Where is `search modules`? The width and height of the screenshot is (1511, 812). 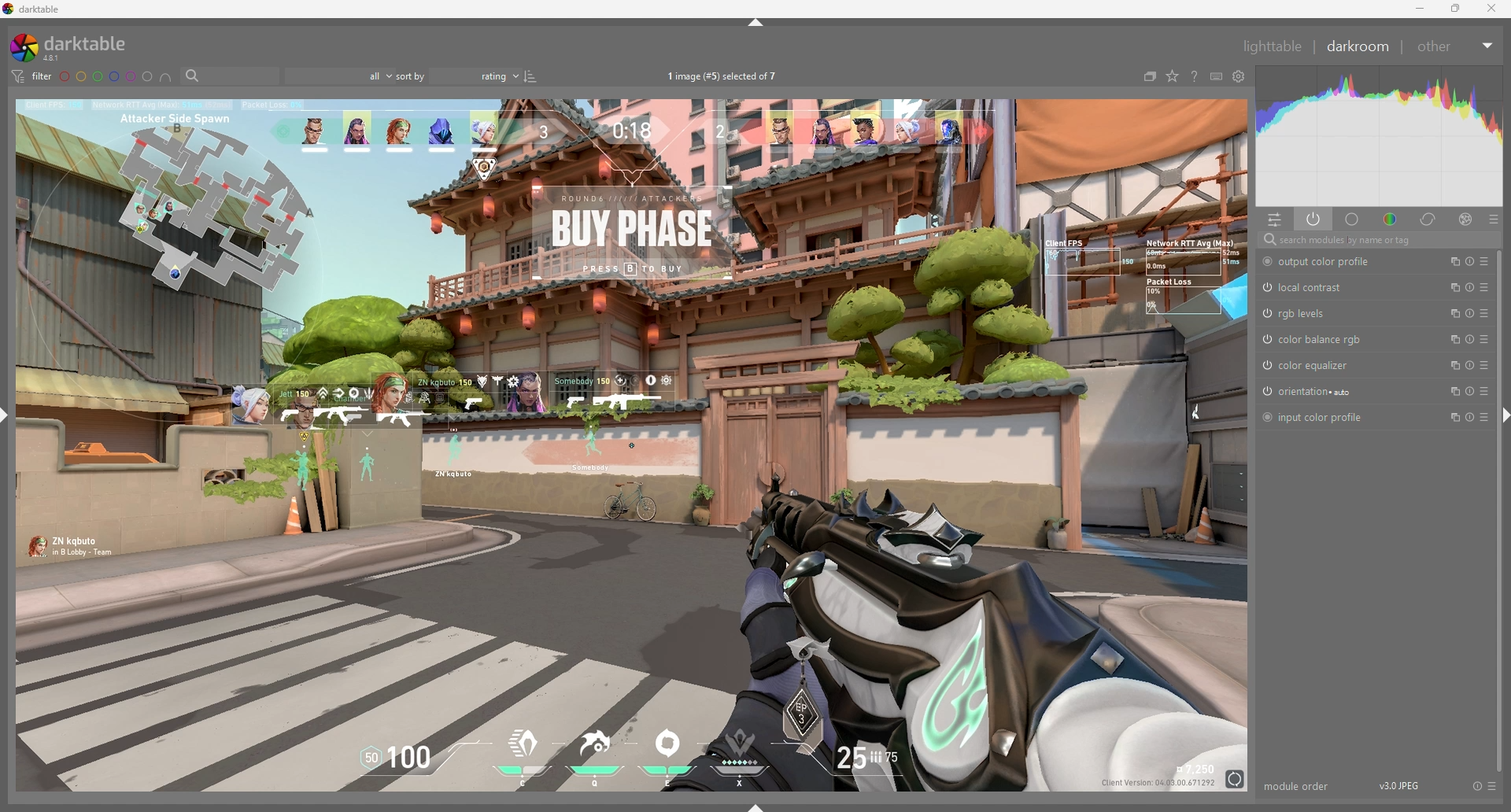 search modules is located at coordinates (1378, 240).